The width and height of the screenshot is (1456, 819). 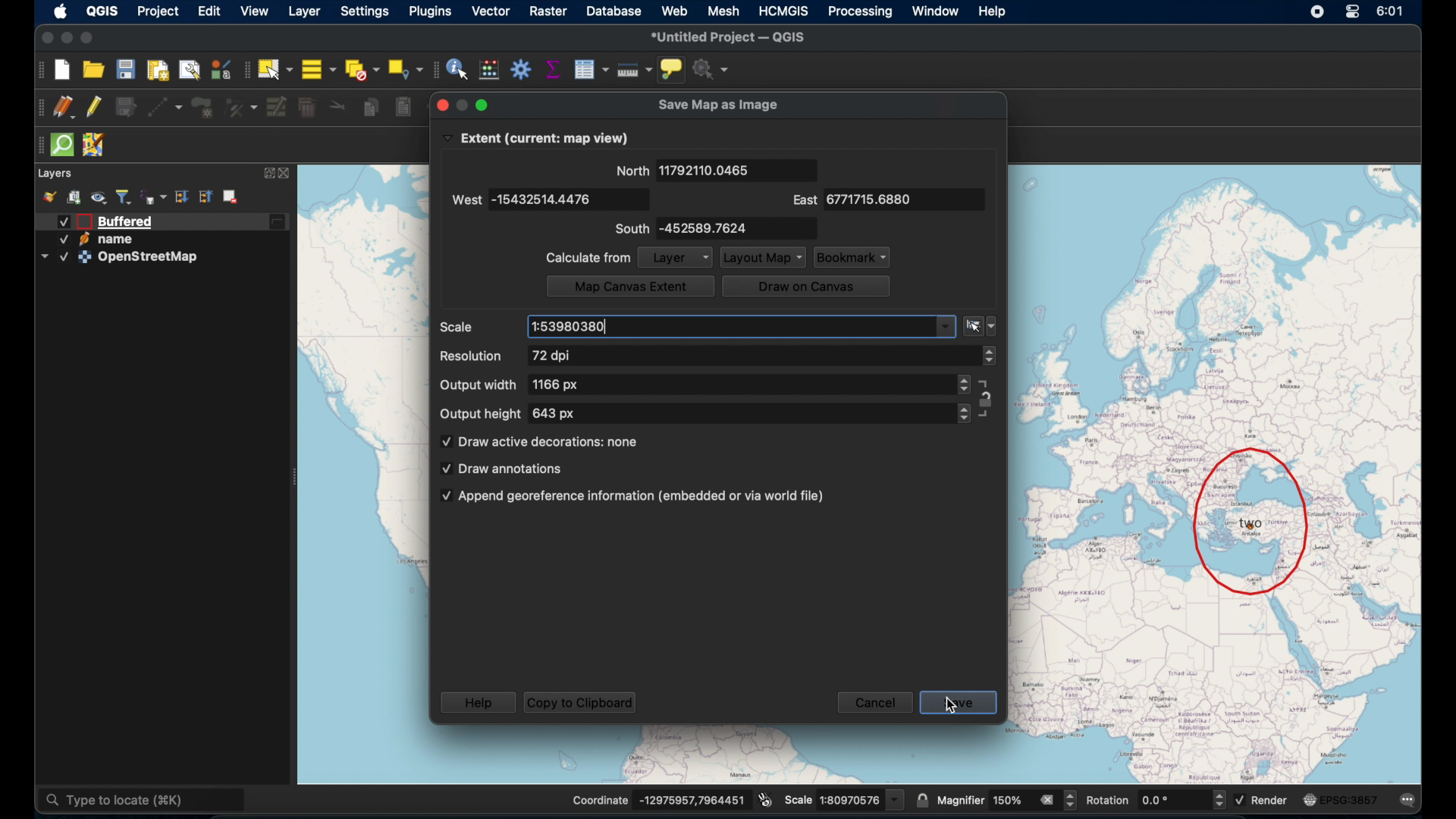 What do you see at coordinates (361, 68) in the screenshot?
I see `deselect features` at bounding box center [361, 68].